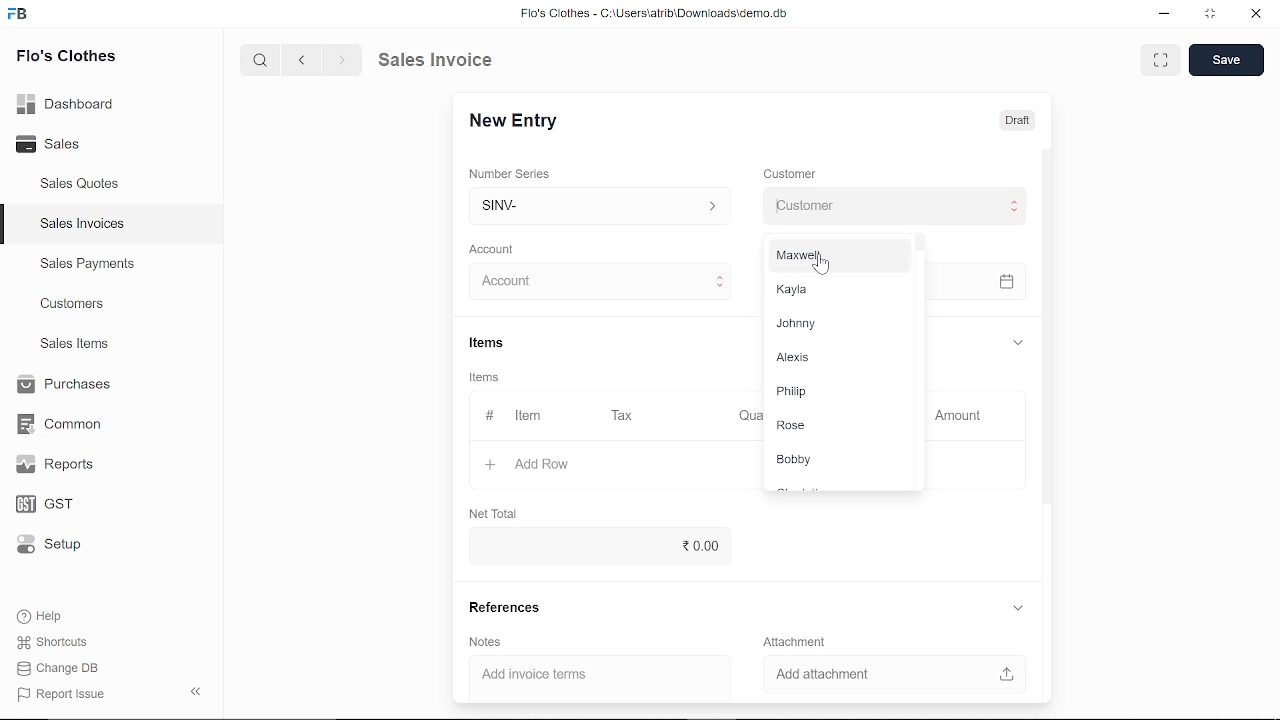  What do you see at coordinates (1006, 282) in the screenshot?
I see `open calender` at bounding box center [1006, 282].